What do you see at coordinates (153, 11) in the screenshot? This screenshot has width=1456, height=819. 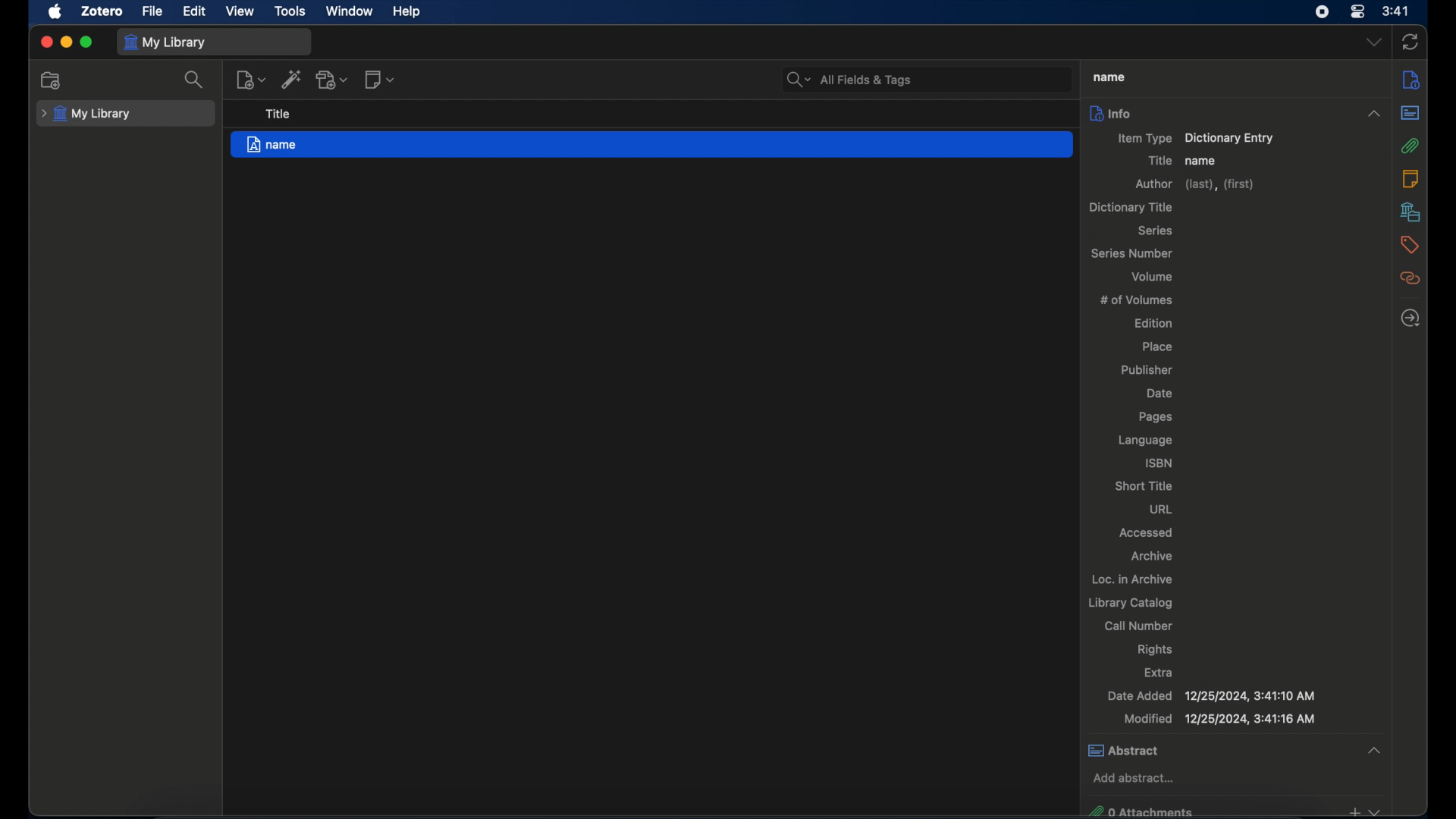 I see `file` at bounding box center [153, 11].